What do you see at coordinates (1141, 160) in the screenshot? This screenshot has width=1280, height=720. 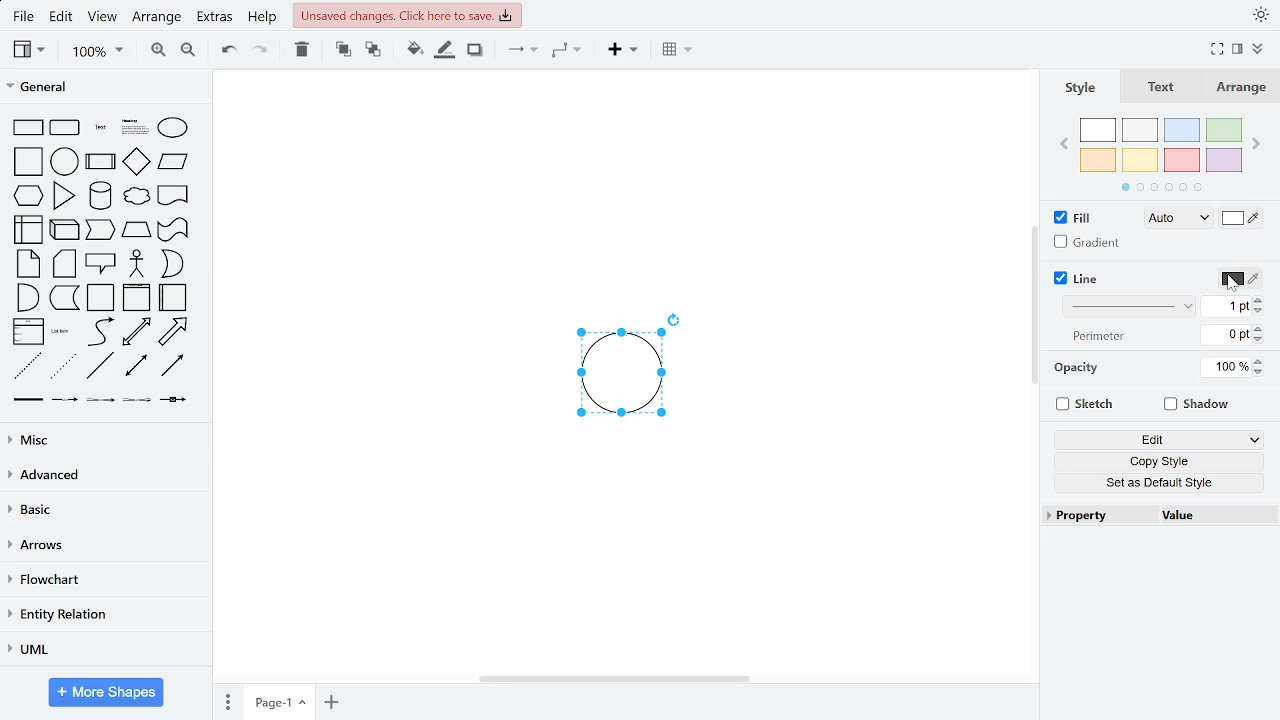 I see `yellow` at bounding box center [1141, 160].